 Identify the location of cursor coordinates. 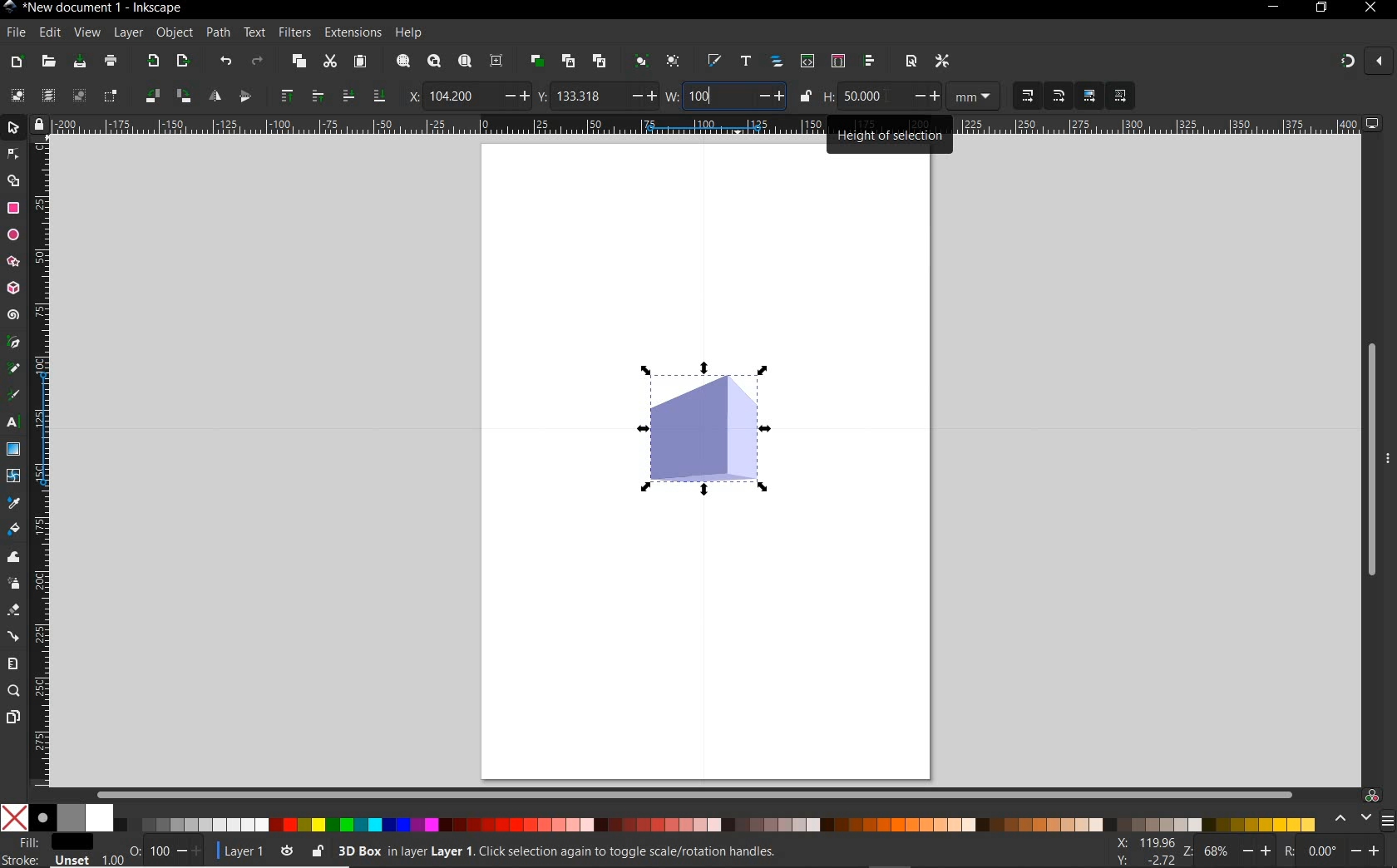
(1146, 851).